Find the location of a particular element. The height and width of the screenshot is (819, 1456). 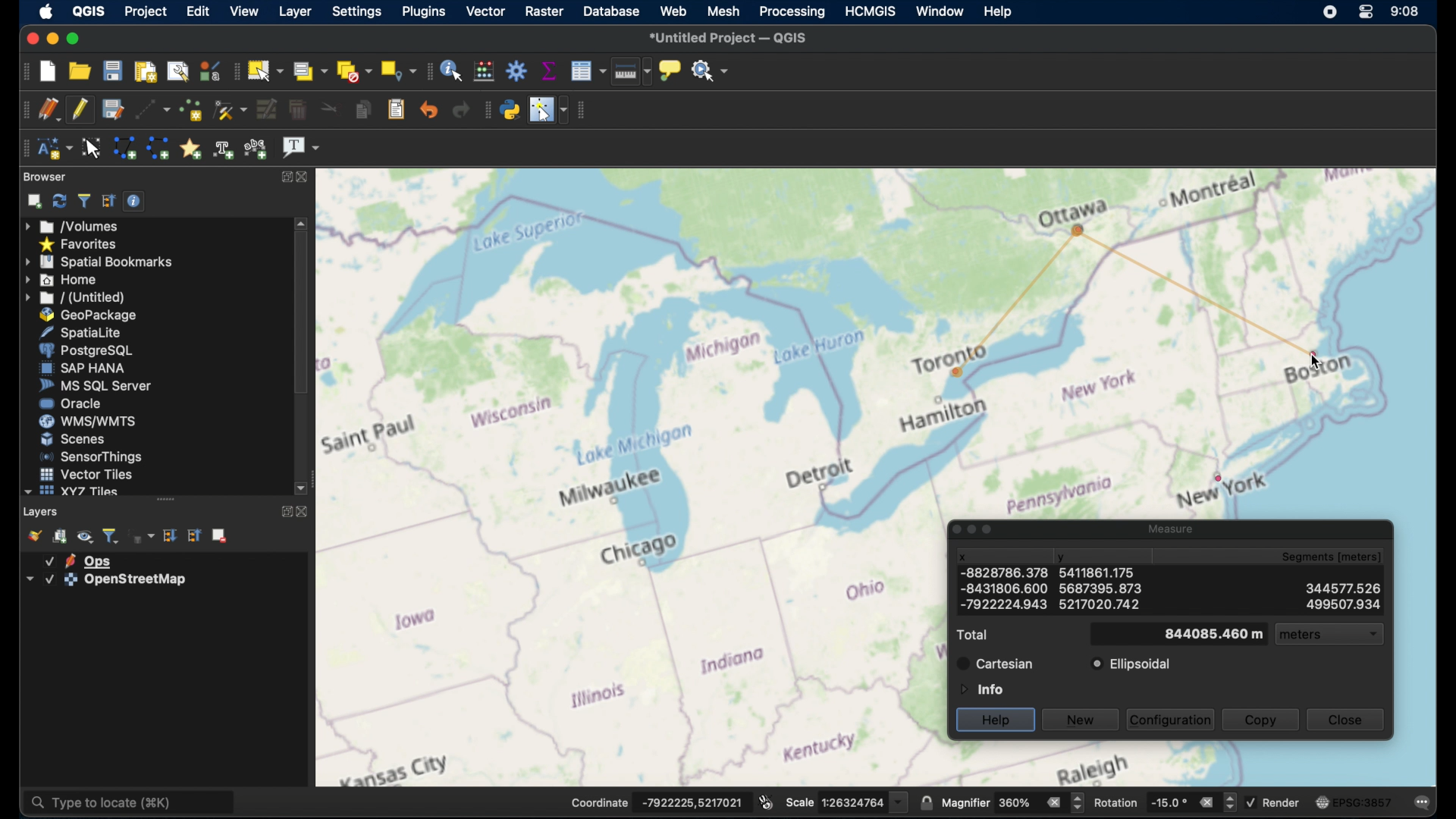

total is located at coordinates (971, 635).